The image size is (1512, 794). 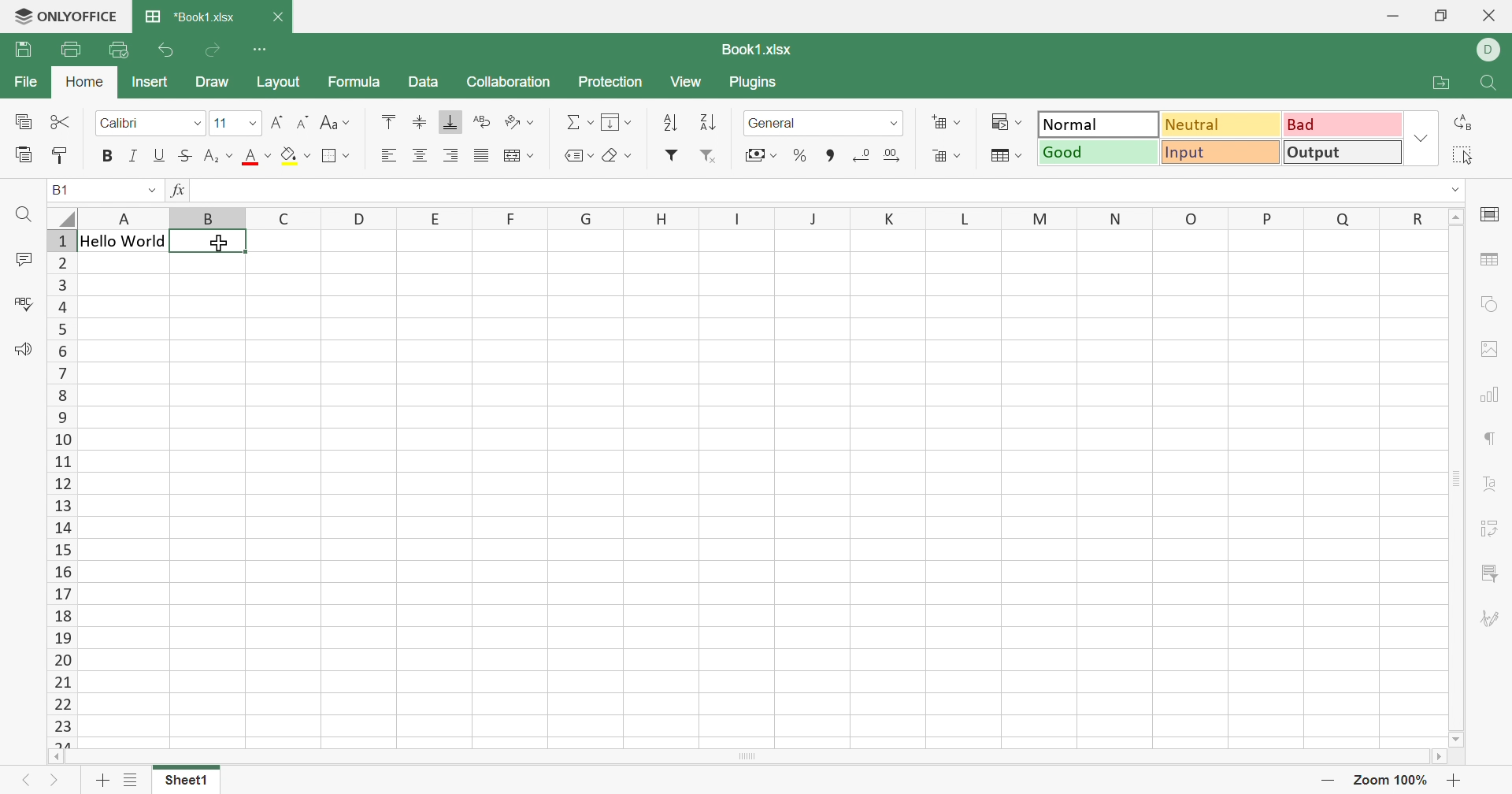 I want to click on Cut, so click(x=59, y=121).